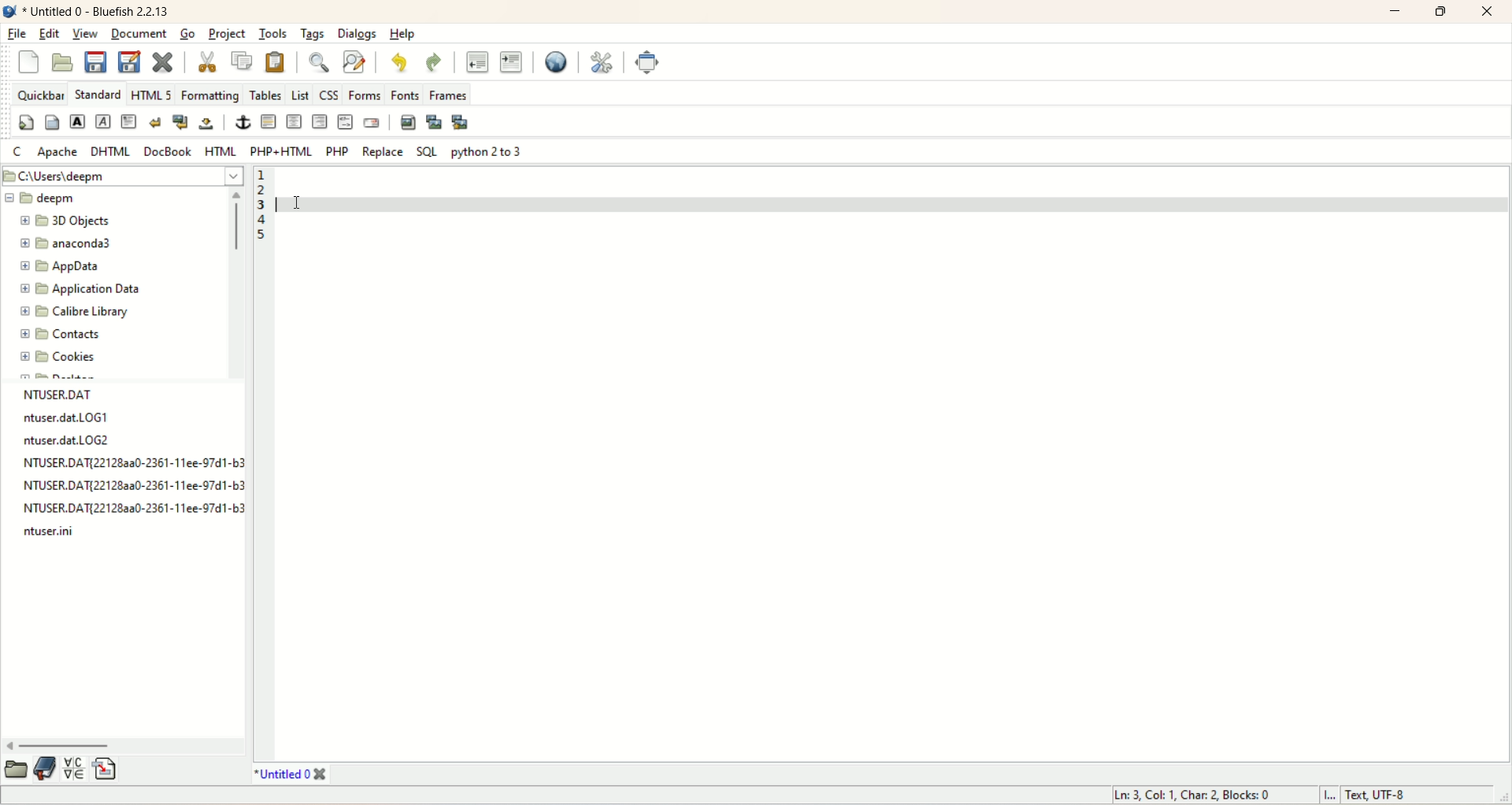 Image resolution: width=1512 pixels, height=805 pixels. Describe the element at coordinates (243, 61) in the screenshot. I see `copy` at that location.